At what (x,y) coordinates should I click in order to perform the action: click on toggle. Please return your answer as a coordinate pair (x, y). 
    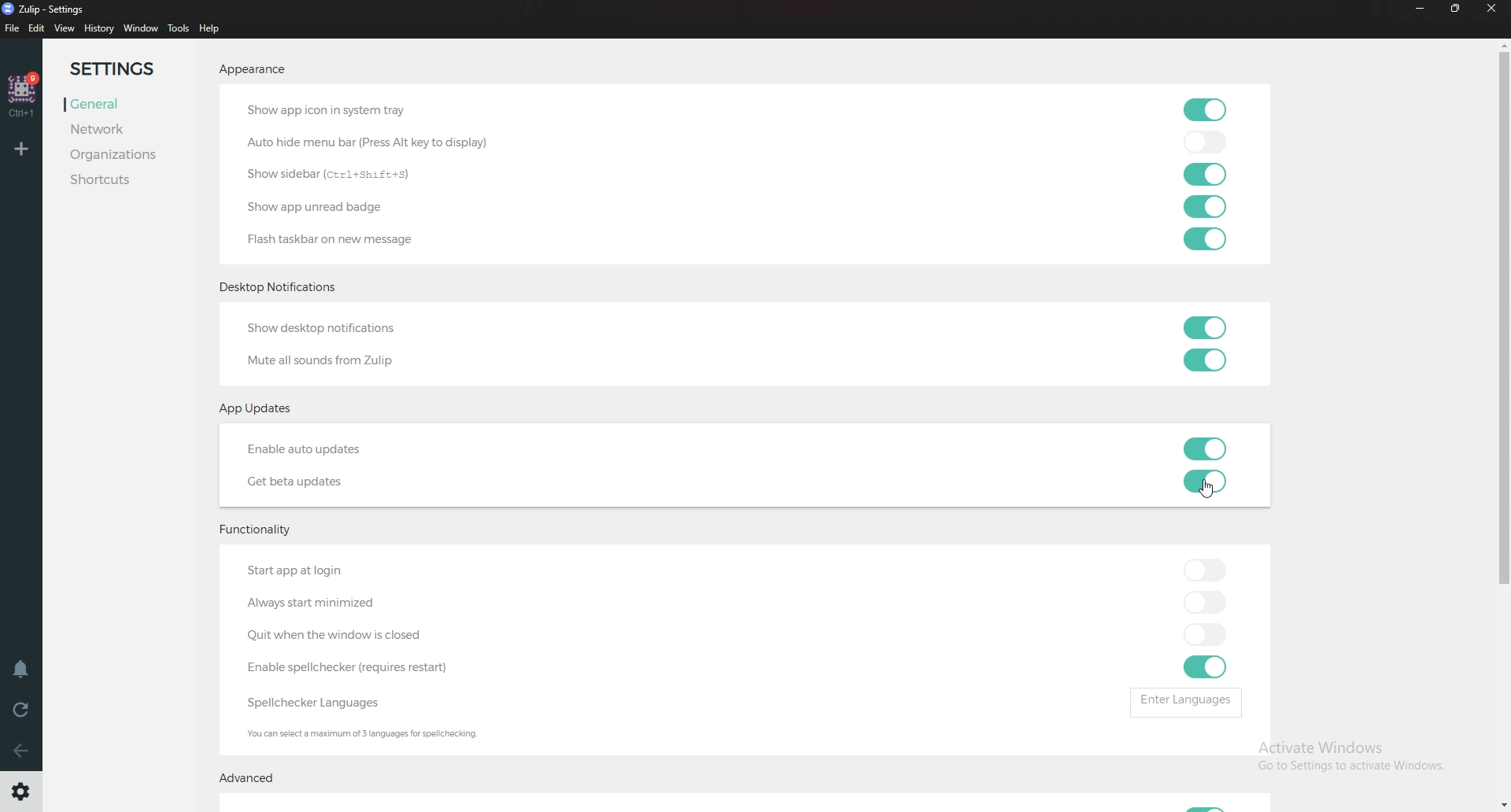
    Looking at the image, I should click on (1203, 238).